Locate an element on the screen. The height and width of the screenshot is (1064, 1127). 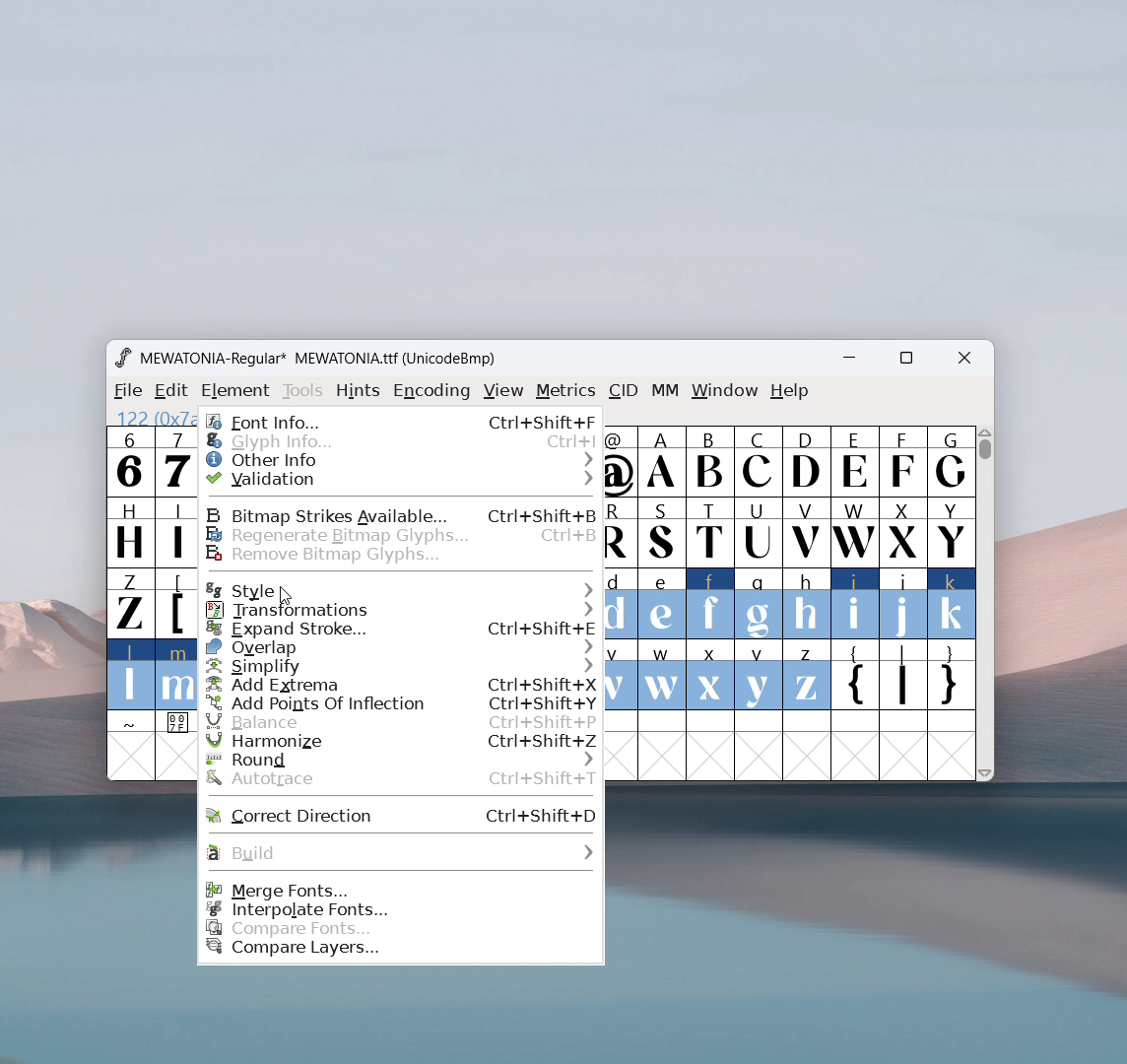
H is located at coordinates (129, 530).